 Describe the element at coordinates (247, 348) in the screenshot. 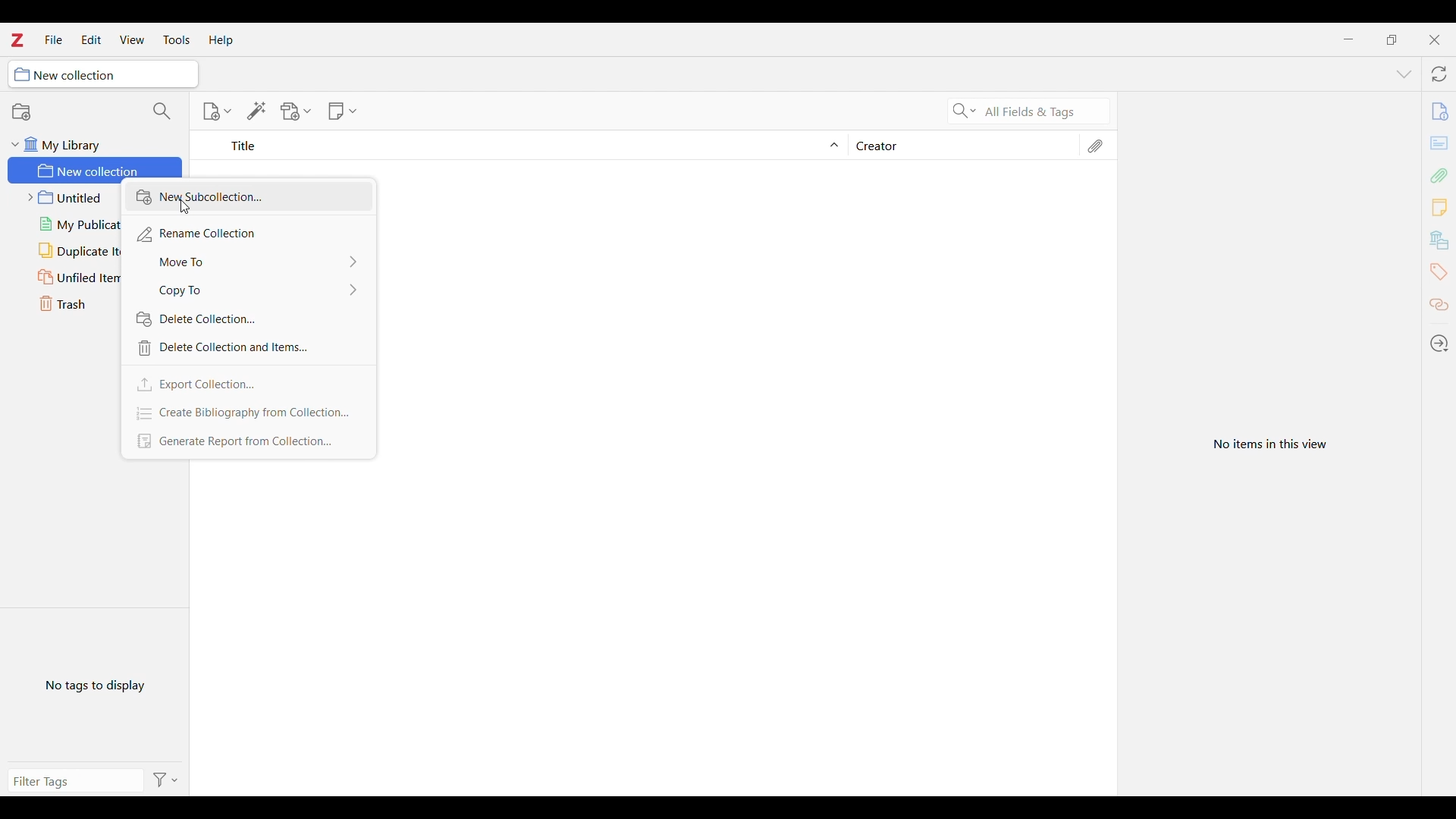

I see `Delete collection and items` at that location.